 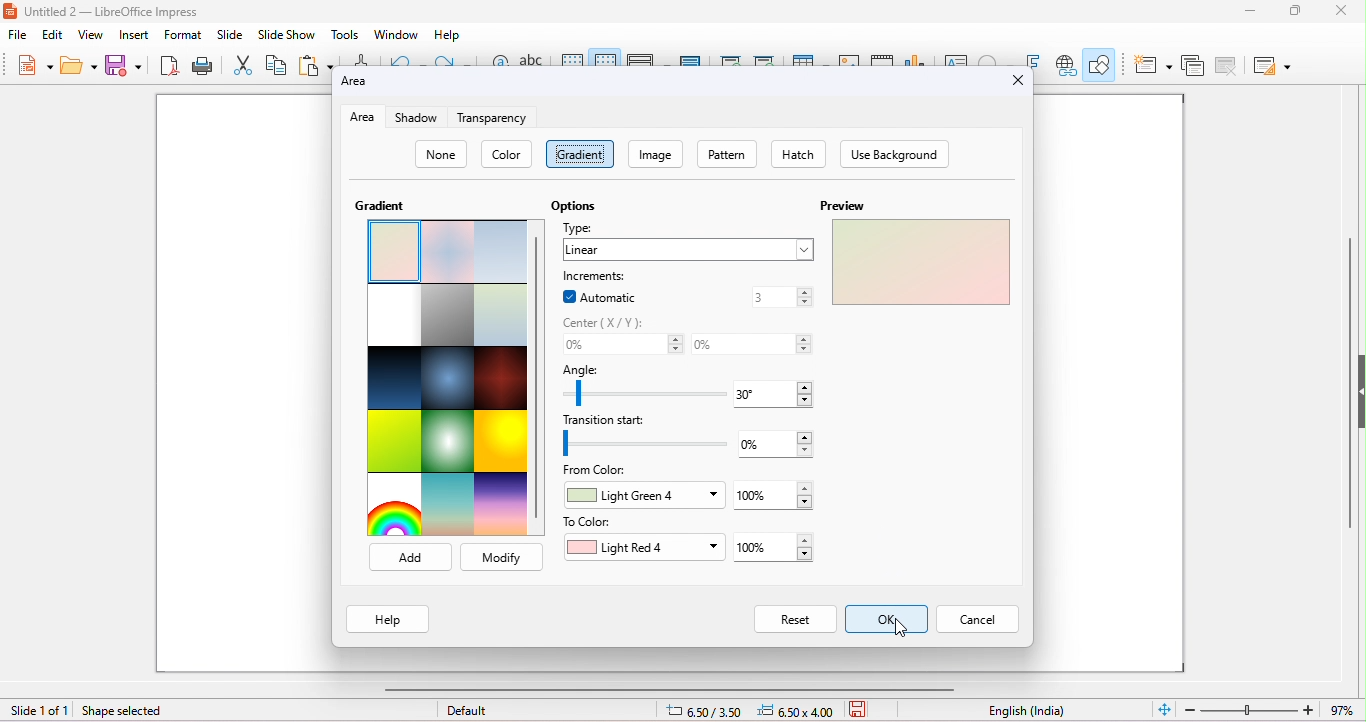 I want to click on Gradient option 10, so click(x=396, y=441).